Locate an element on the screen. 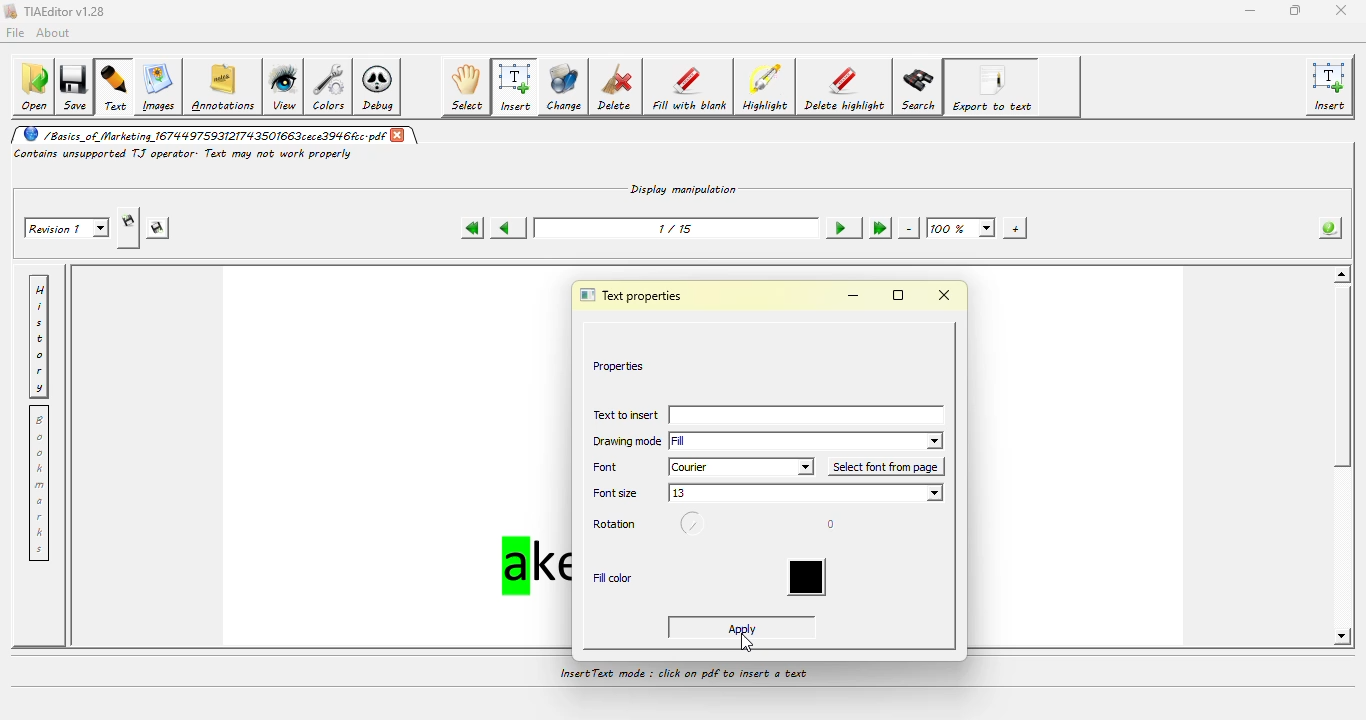 The image size is (1366, 720). image is located at coordinates (159, 86).